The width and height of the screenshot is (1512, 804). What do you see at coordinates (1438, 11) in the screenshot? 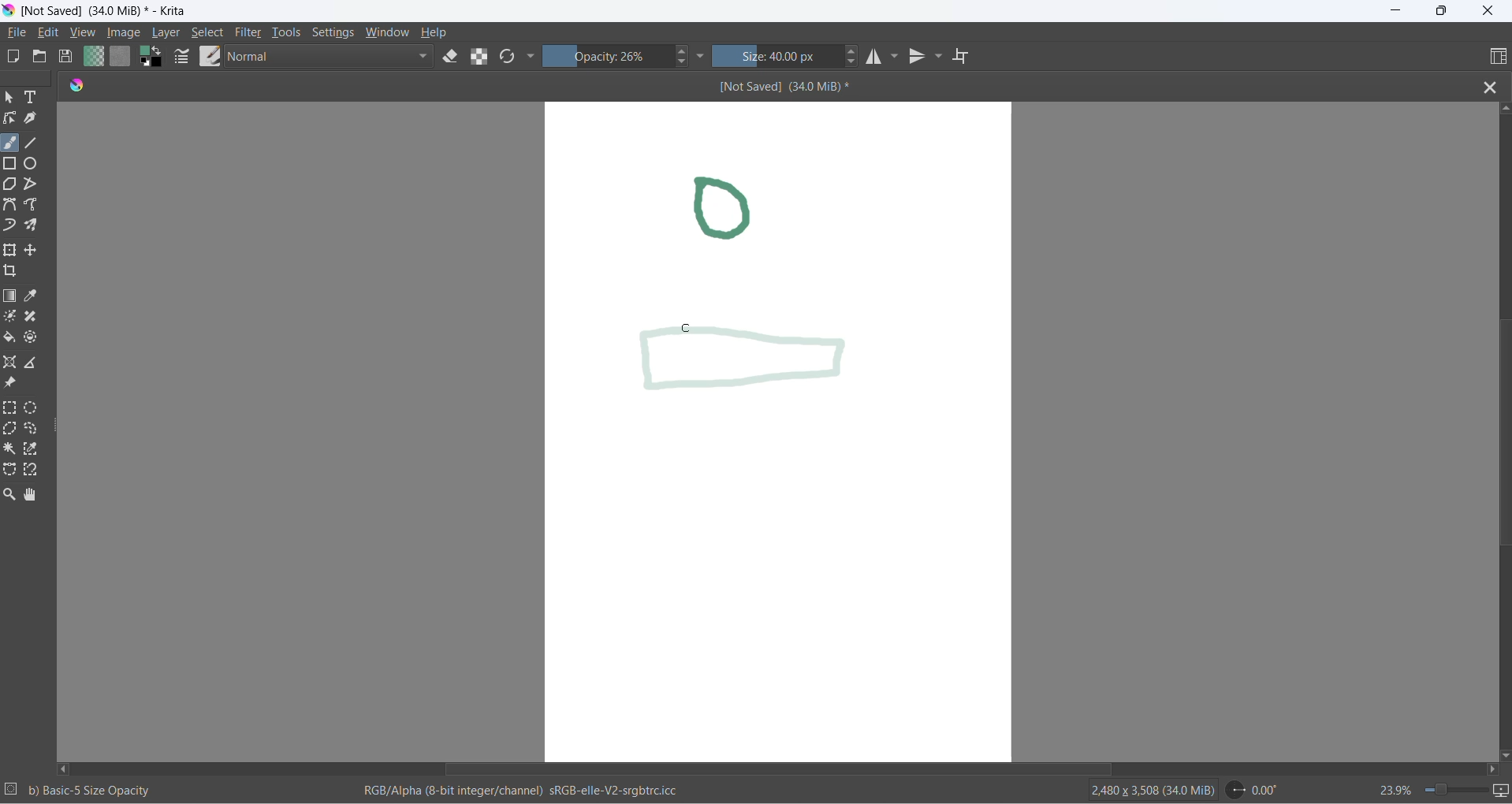
I see `maximize` at bounding box center [1438, 11].